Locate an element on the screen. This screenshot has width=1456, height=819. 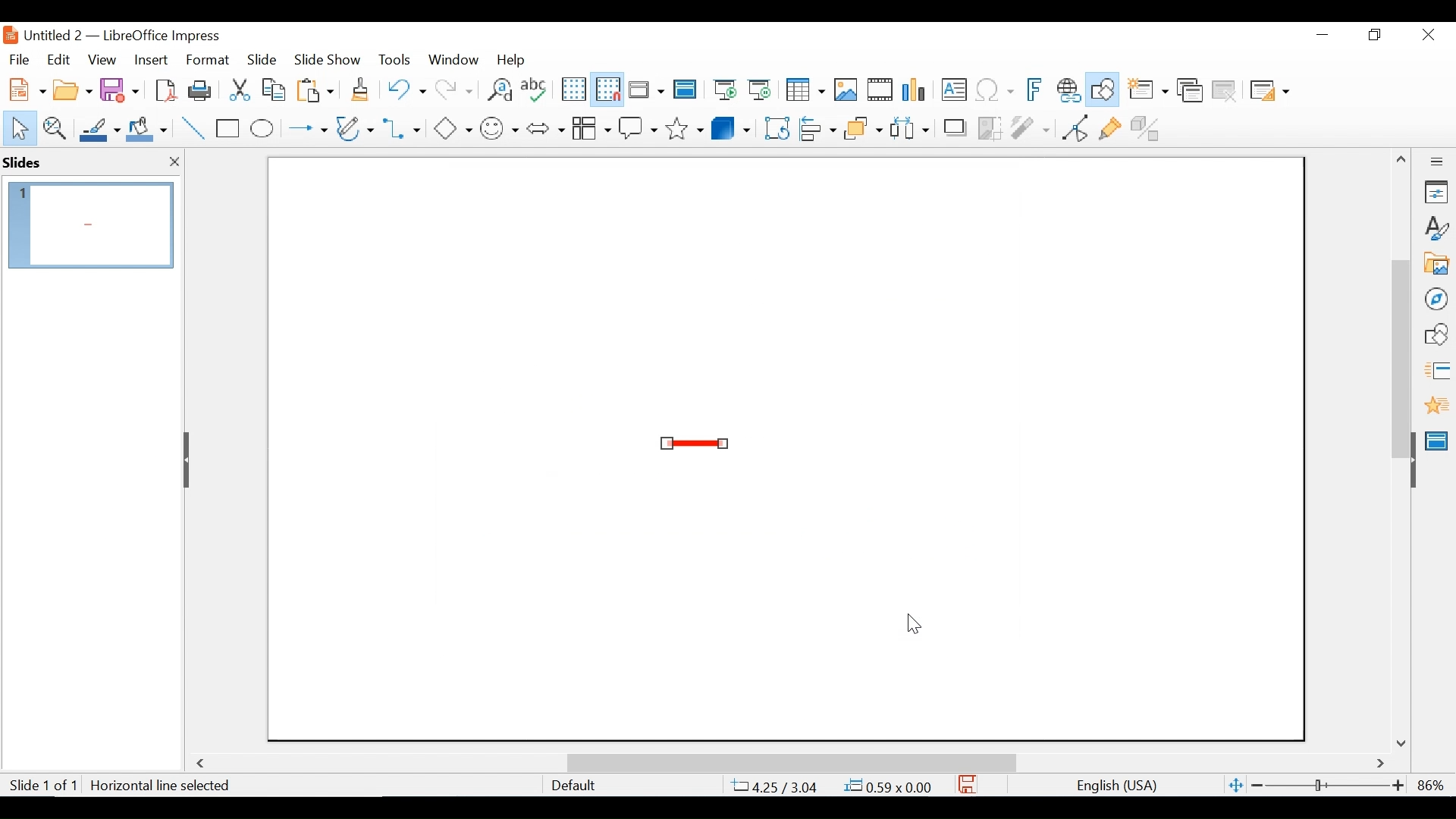
Paste is located at coordinates (319, 89).